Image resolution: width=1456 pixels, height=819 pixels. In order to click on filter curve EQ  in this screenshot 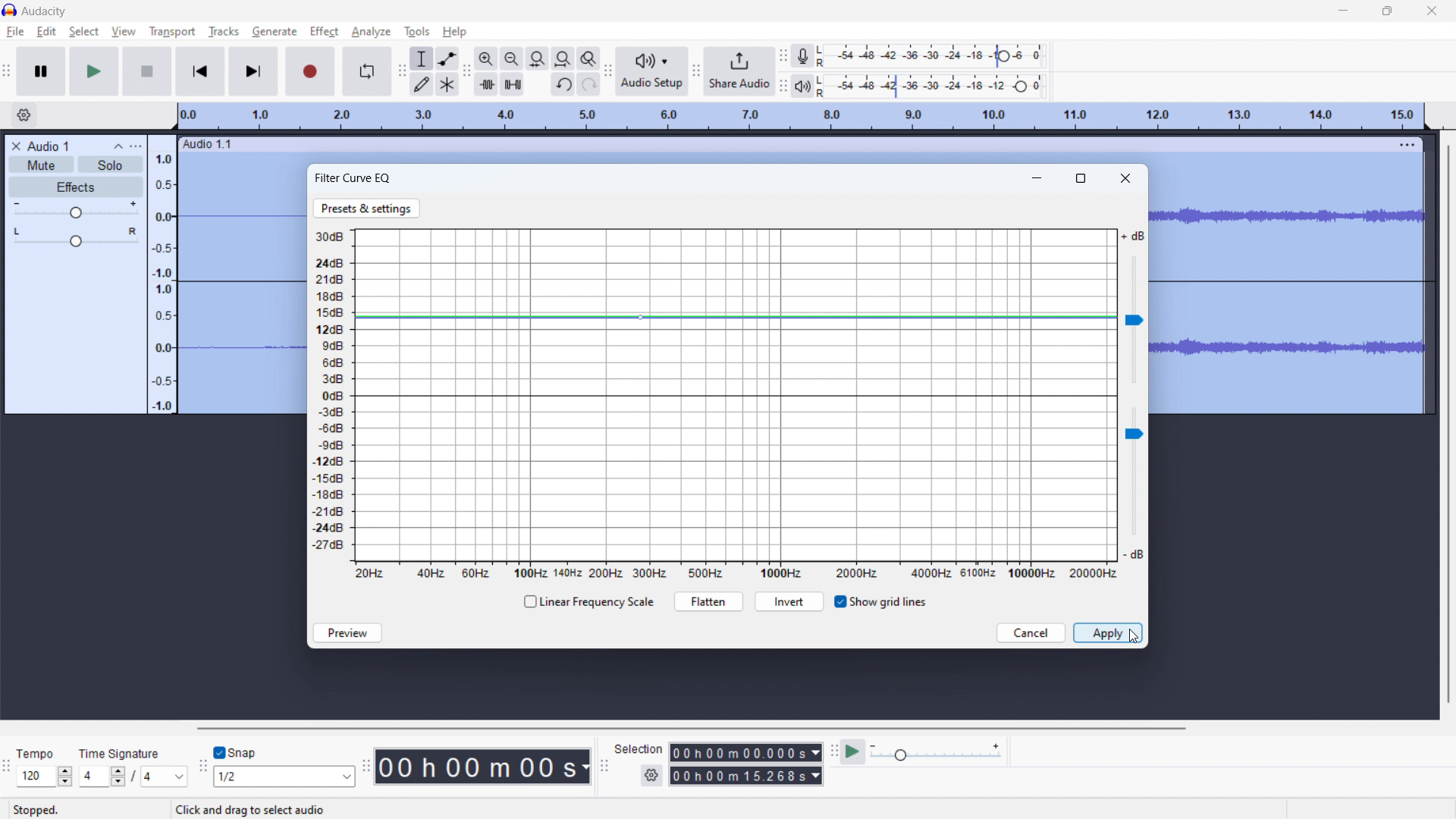, I will do `click(353, 178)`.